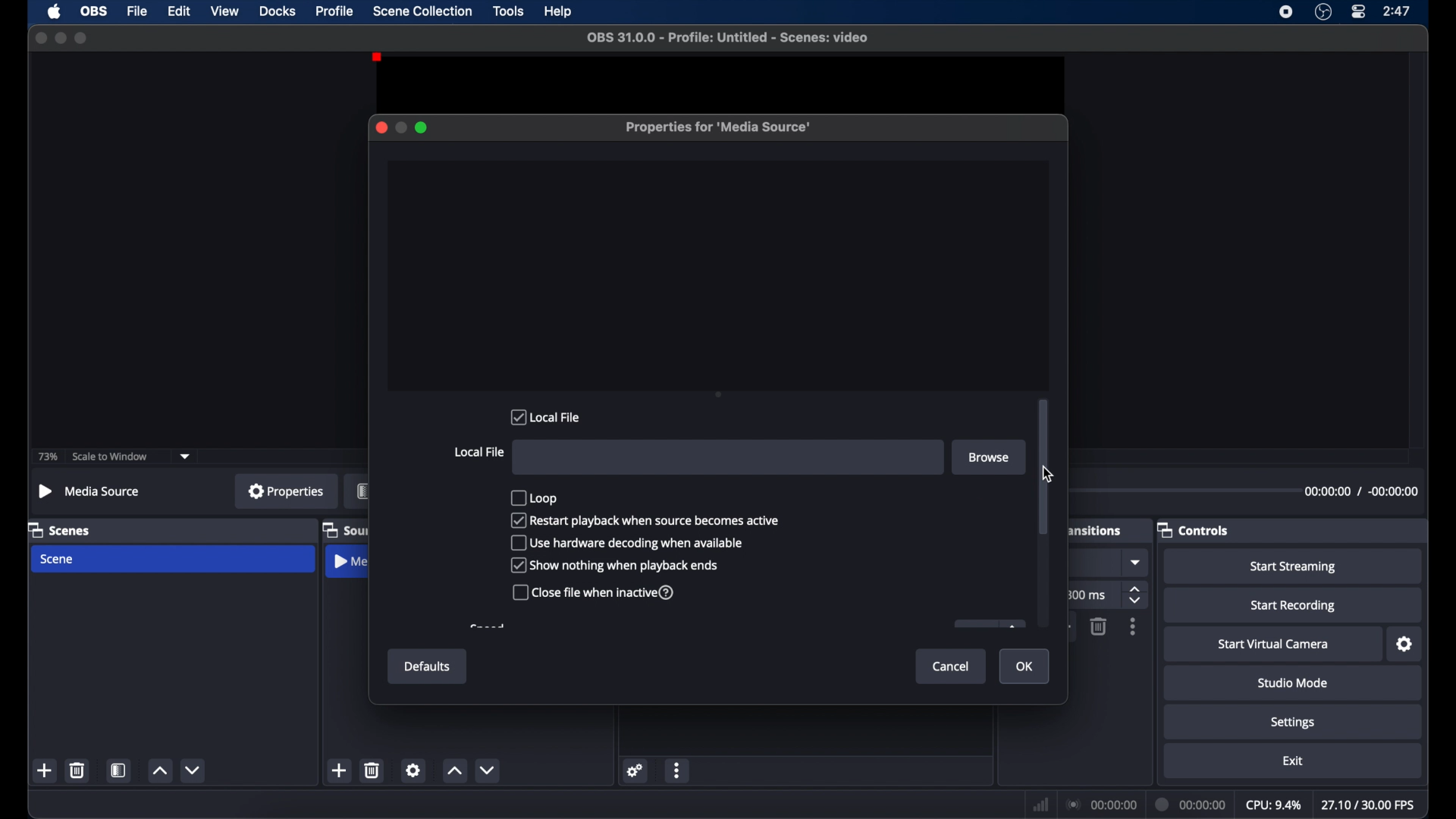  Describe the element at coordinates (372, 770) in the screenshot. I see `delete` at that location.